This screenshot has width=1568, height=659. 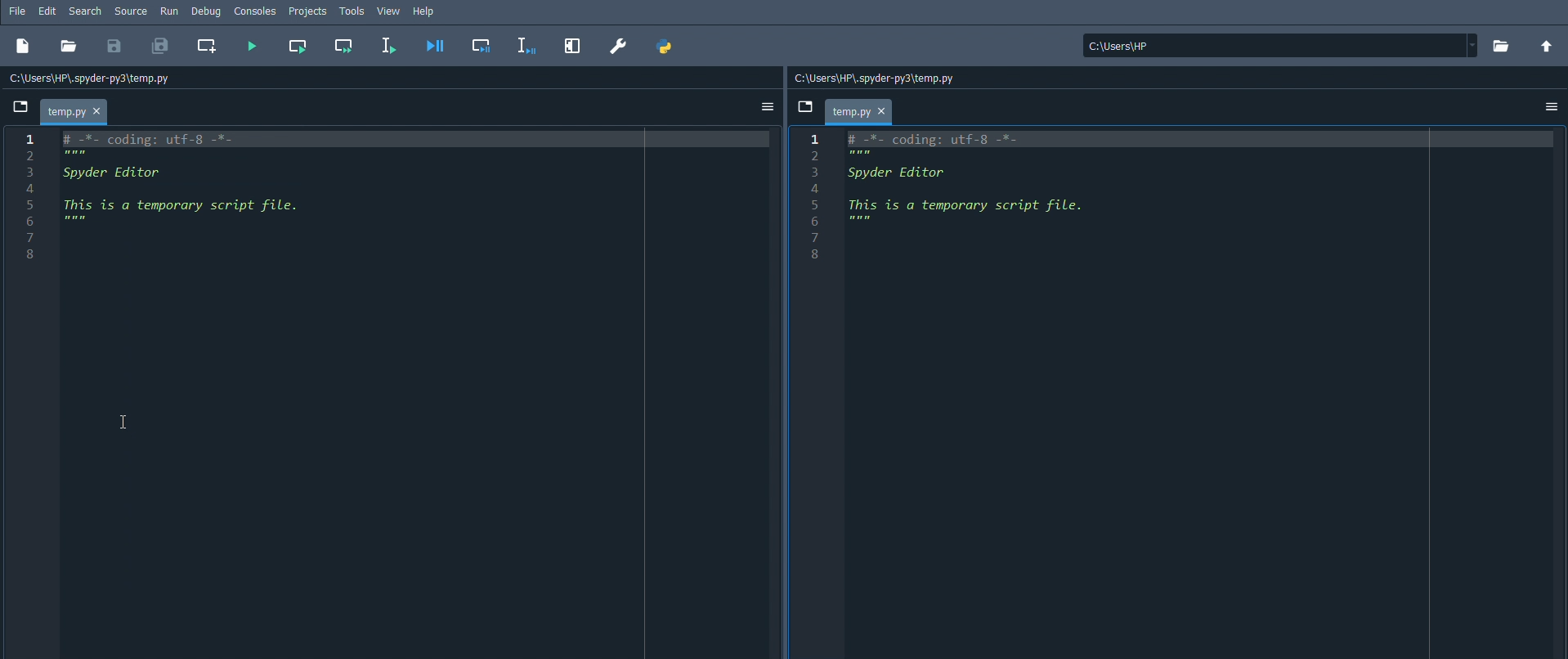 I want to click on close, so click(x=101, y=112).